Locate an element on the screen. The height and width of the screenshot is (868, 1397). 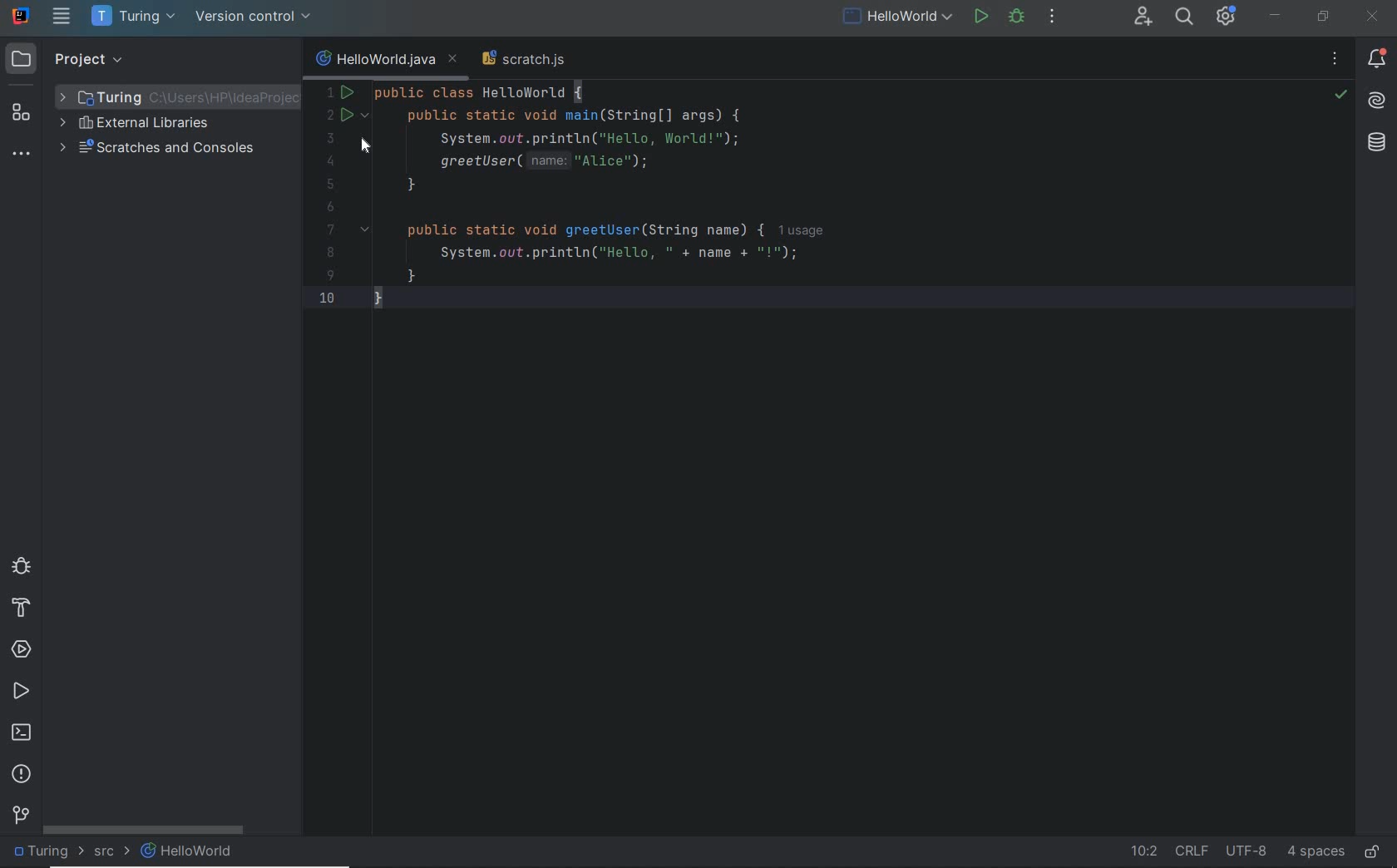
main menu is located at coordinates (63, 18).